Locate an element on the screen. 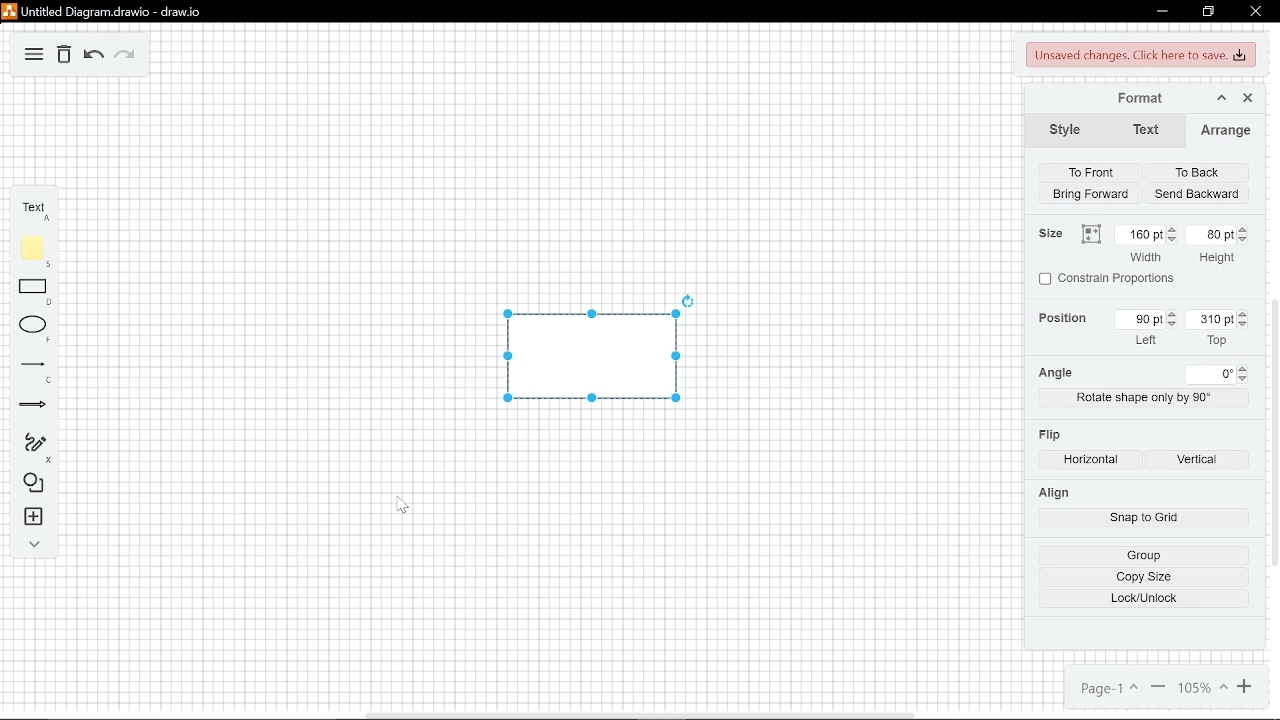  height is located at coordinates (1213, 259).